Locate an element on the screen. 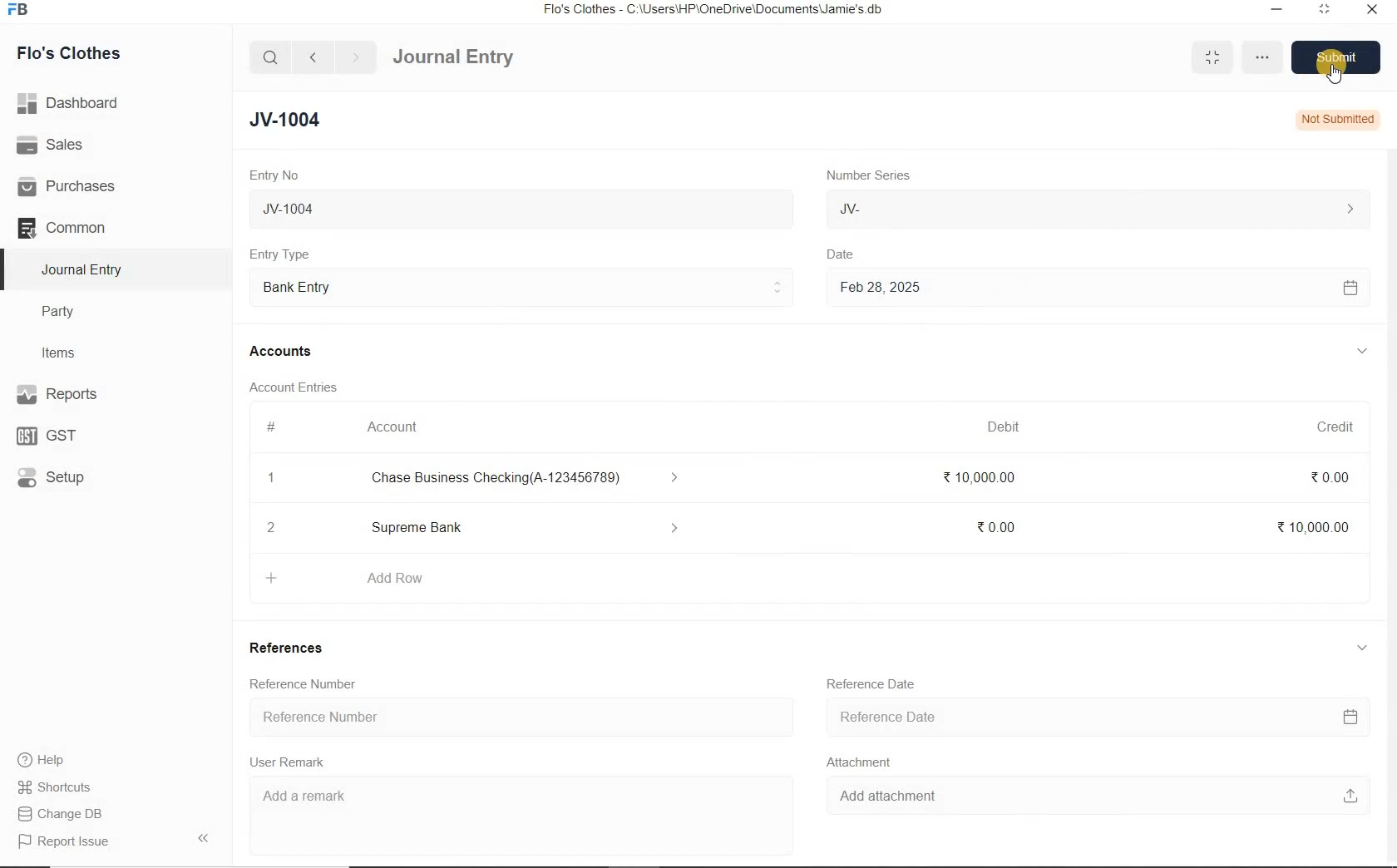 This screenshot has width=1397, height=868. Add a remark is located at coordinates (518, 800).